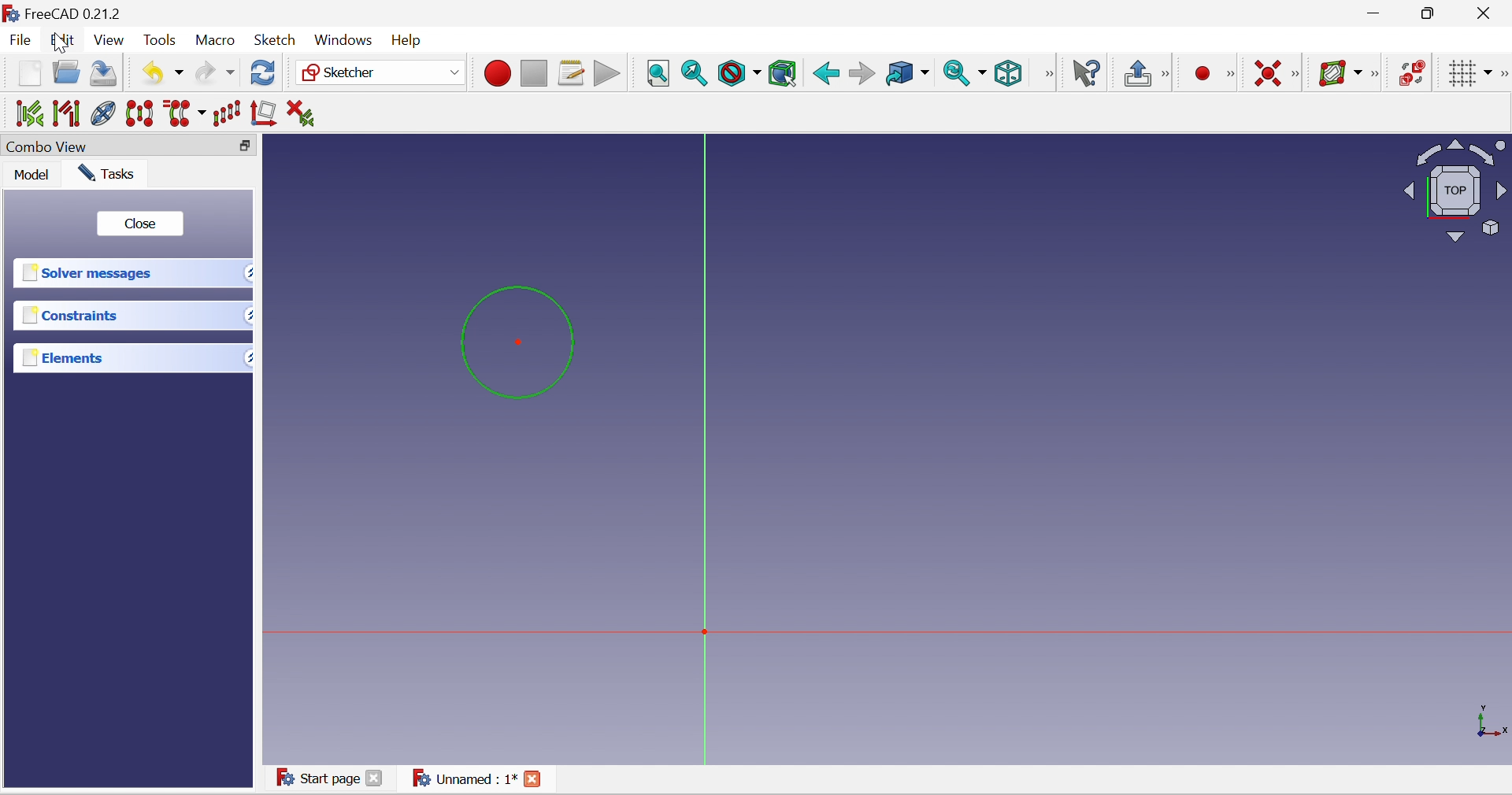 This screenshot has height=795, width=1512. Describe the element at coordinates (341, 44) in the screenshot. I see `Windows` at that location.